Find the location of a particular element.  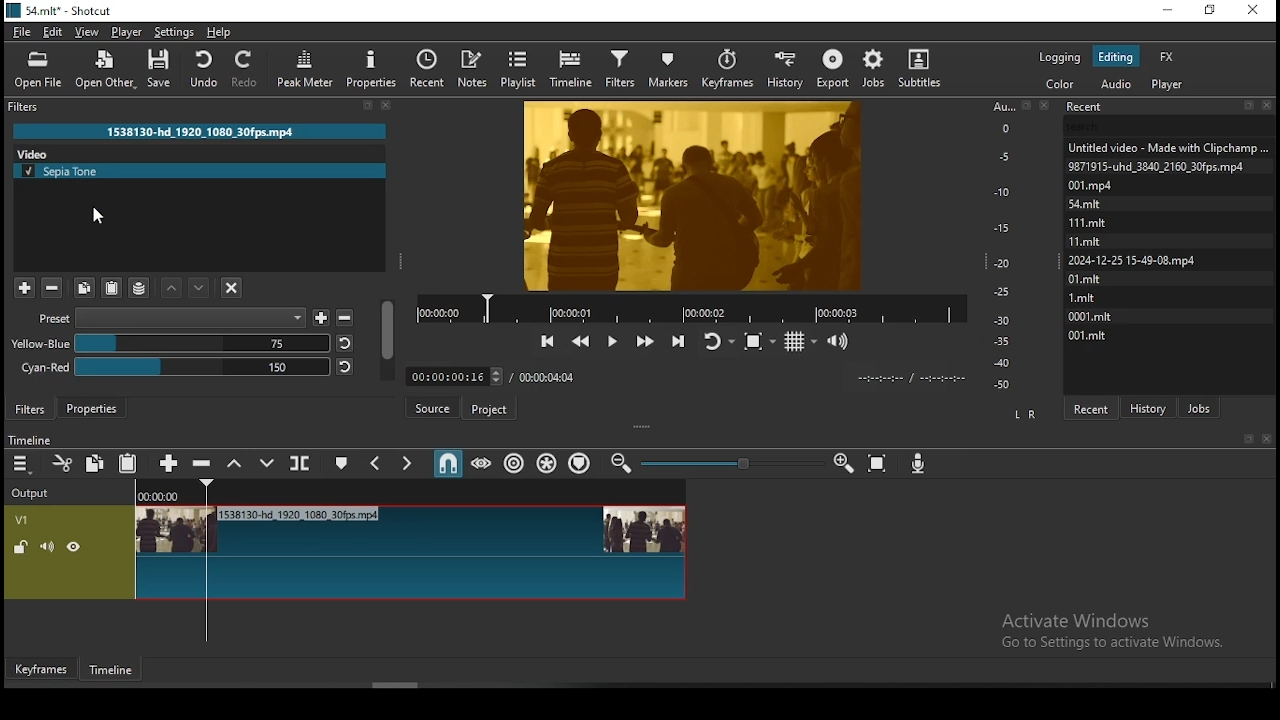

2024-12-25 15-49-08.mp4 is located at coordinates (1131, 260).